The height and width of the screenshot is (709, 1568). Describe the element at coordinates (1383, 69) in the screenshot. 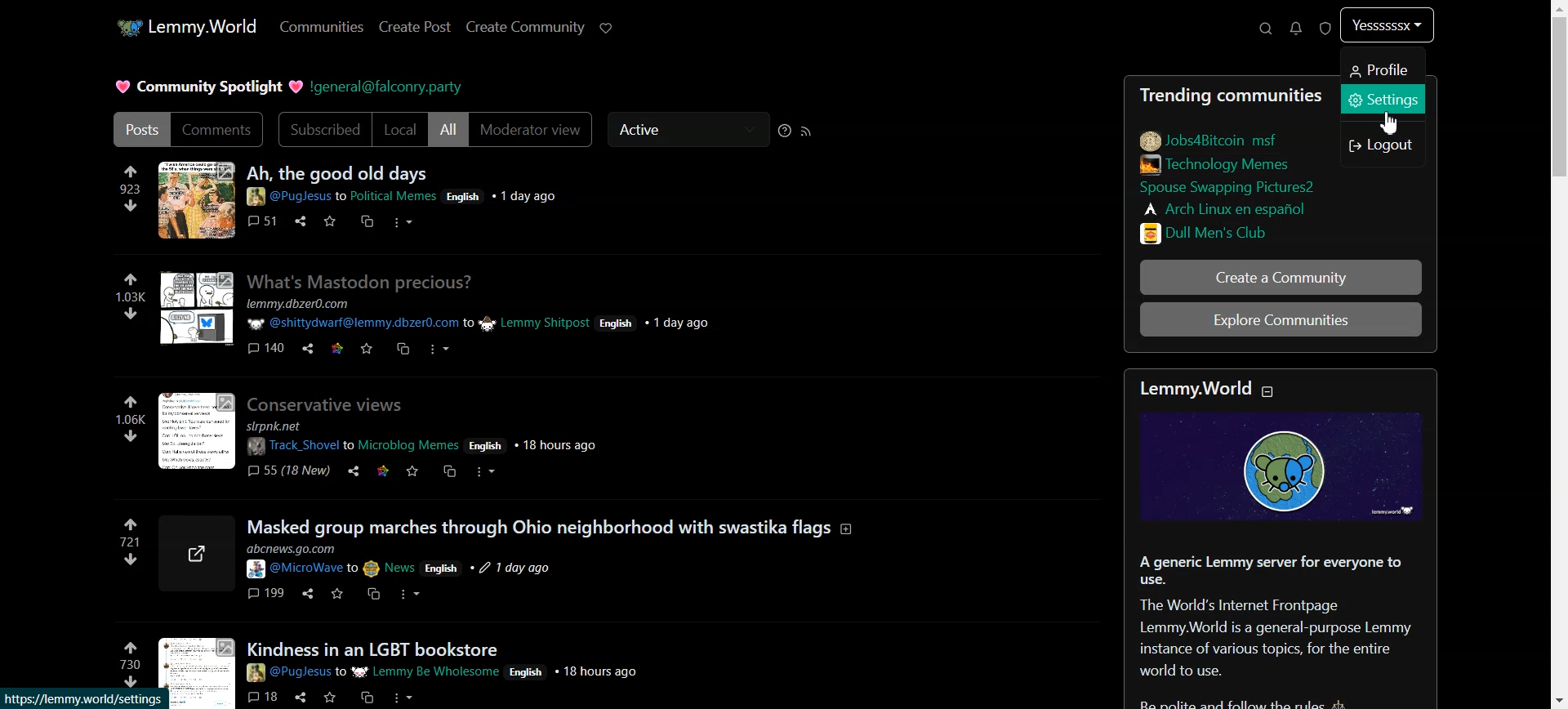

I see `Profile` at that location.